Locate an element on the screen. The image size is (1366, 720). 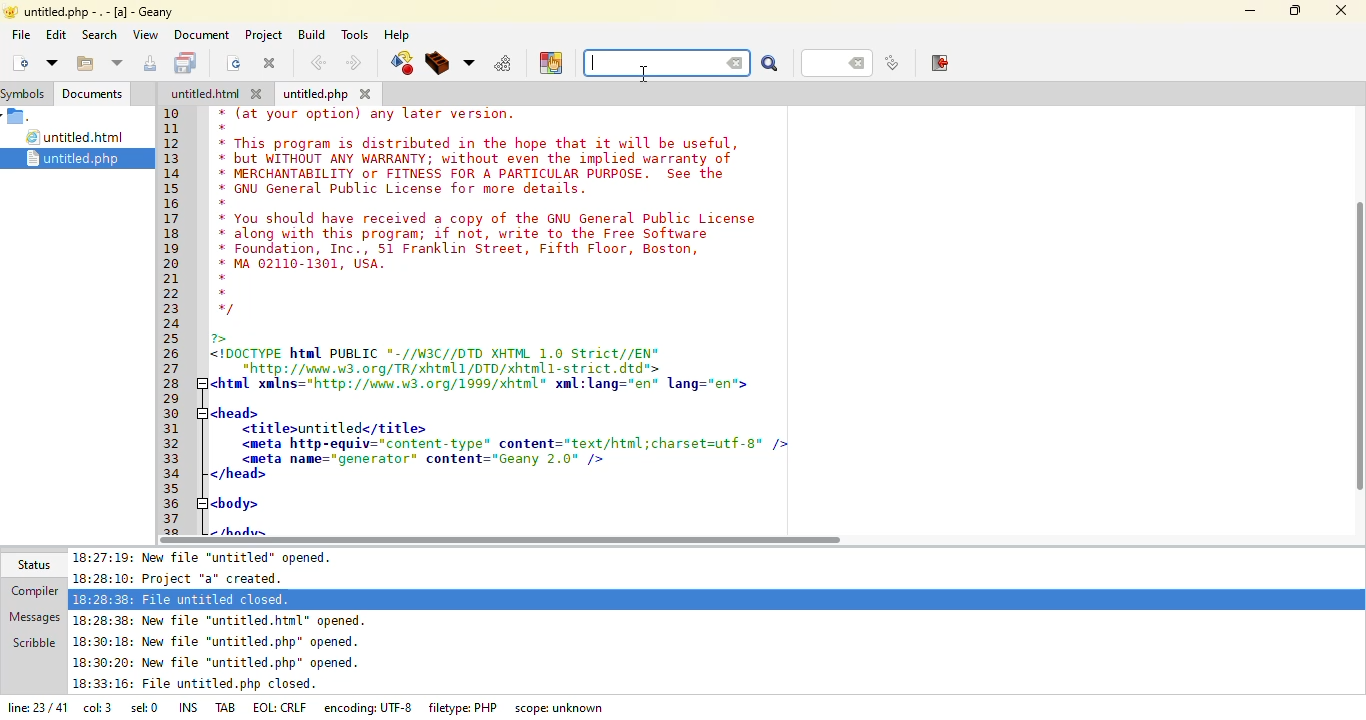
* along with this program; if not, write to the Free Software is located at coordinates (463, 235).